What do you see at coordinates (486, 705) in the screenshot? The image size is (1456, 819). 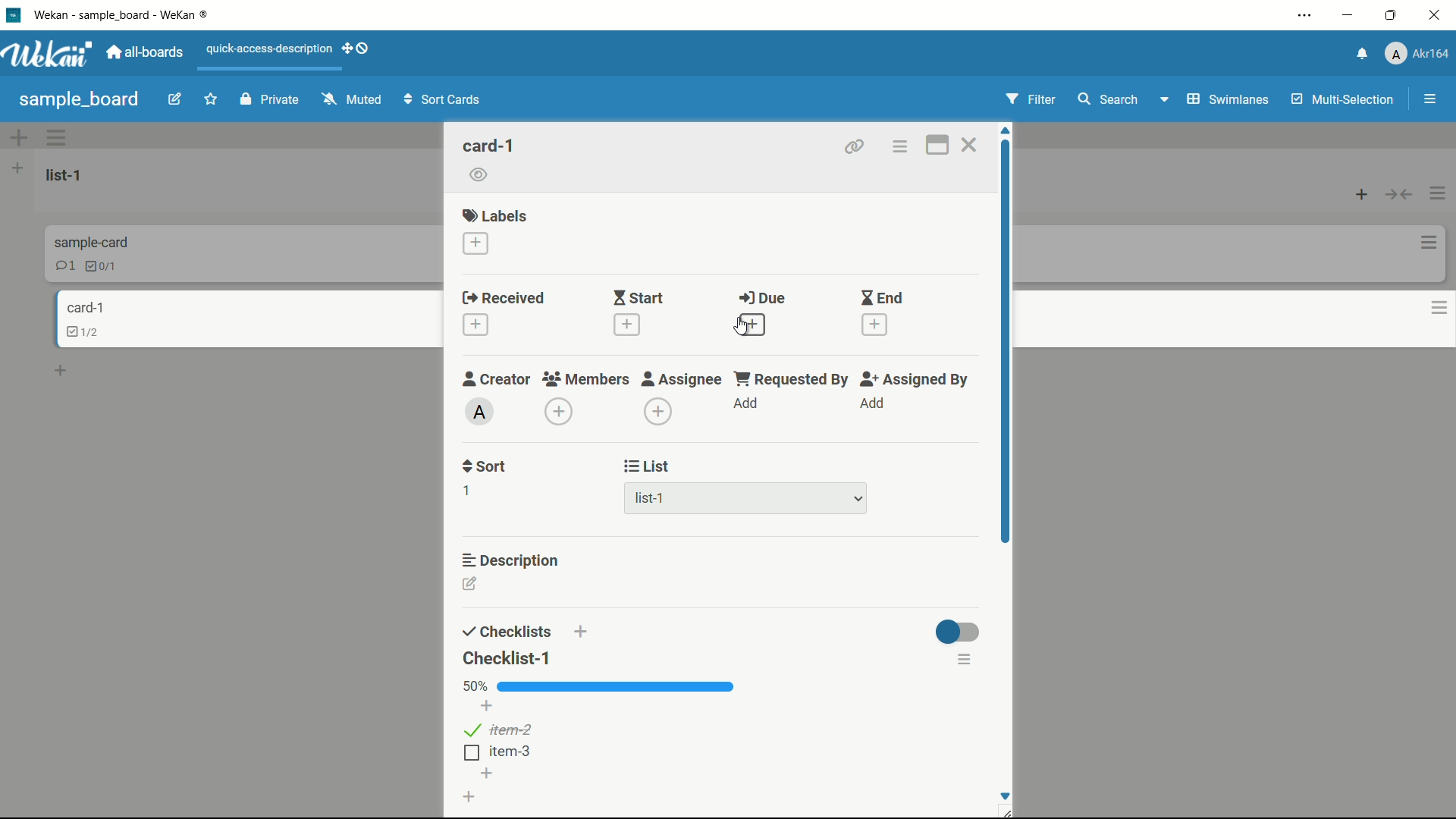 I see `add item` at bounding box center [486, 705].